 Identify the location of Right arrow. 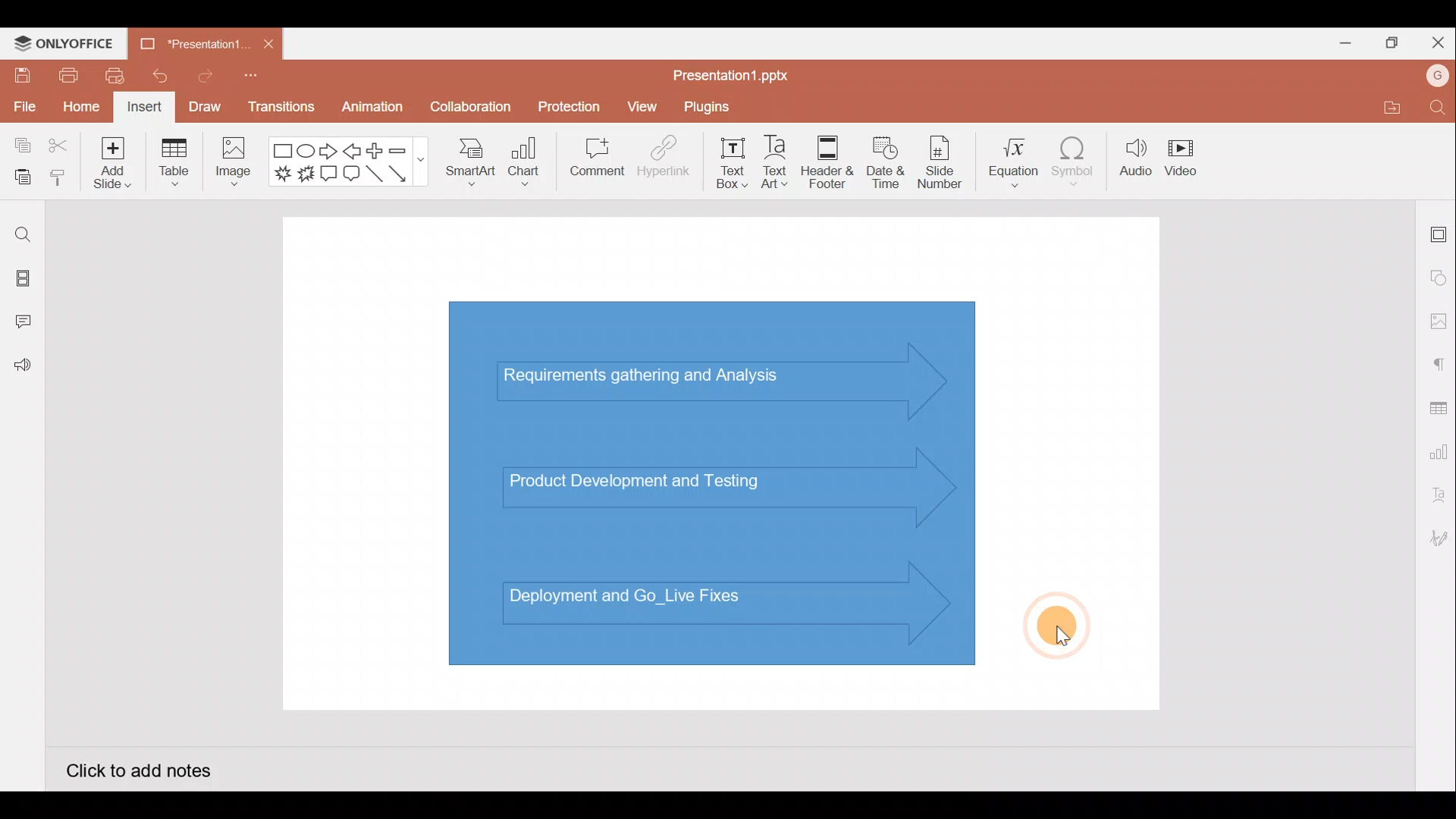
(328, 152).